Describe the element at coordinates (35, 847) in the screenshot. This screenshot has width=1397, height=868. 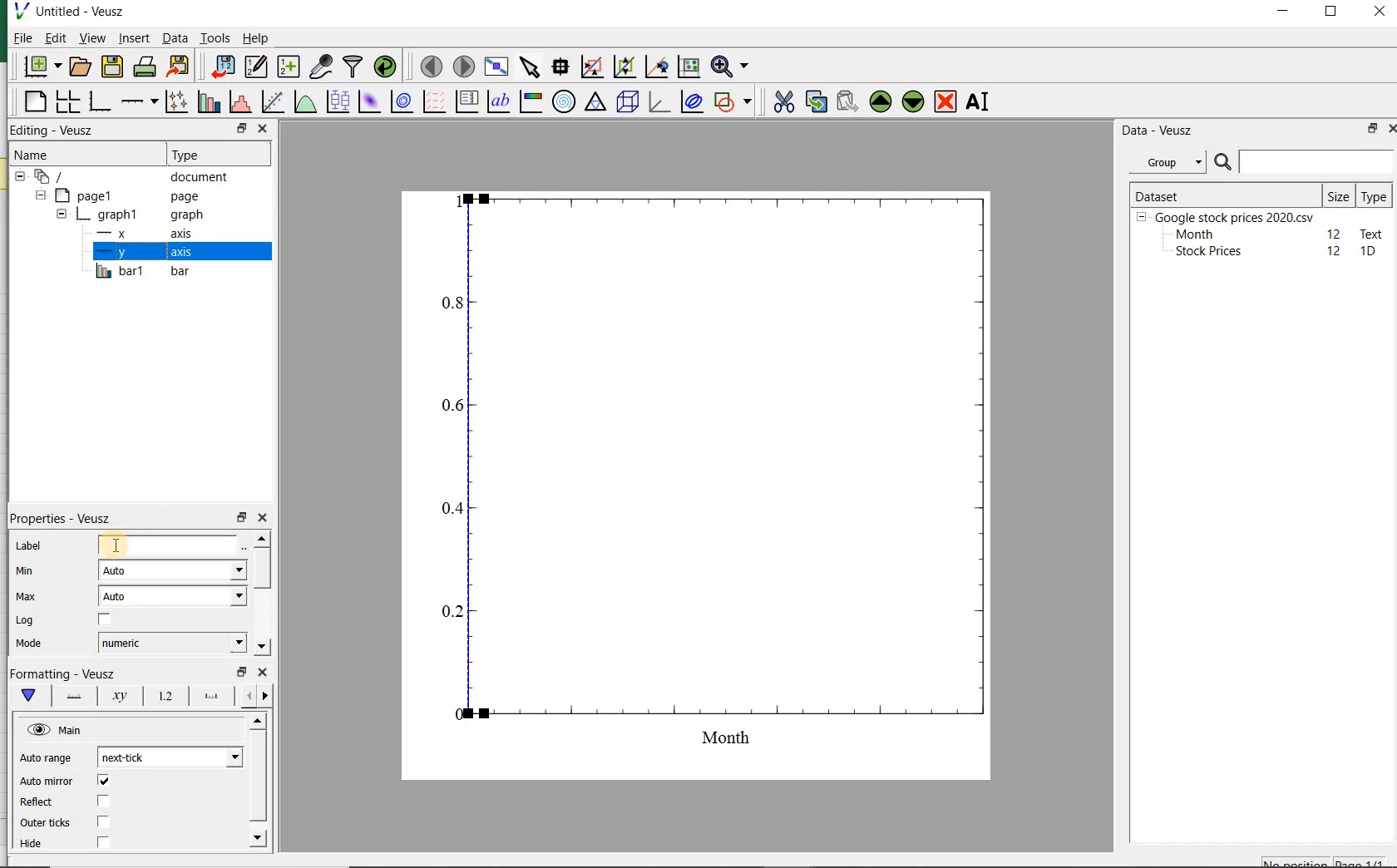
I see `Hide` at that location.